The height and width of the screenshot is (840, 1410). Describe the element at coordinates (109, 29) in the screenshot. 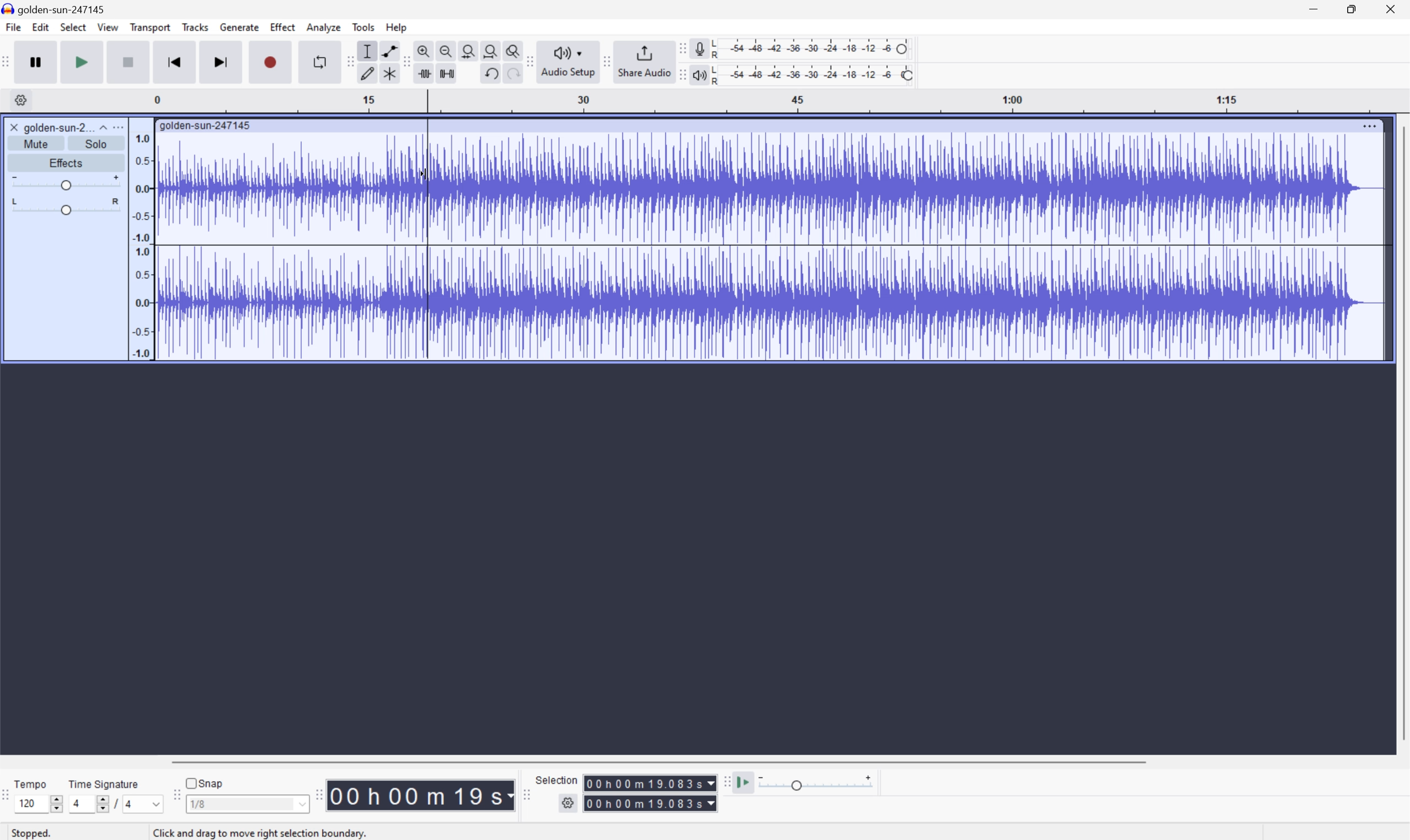

I see `View` at that location.